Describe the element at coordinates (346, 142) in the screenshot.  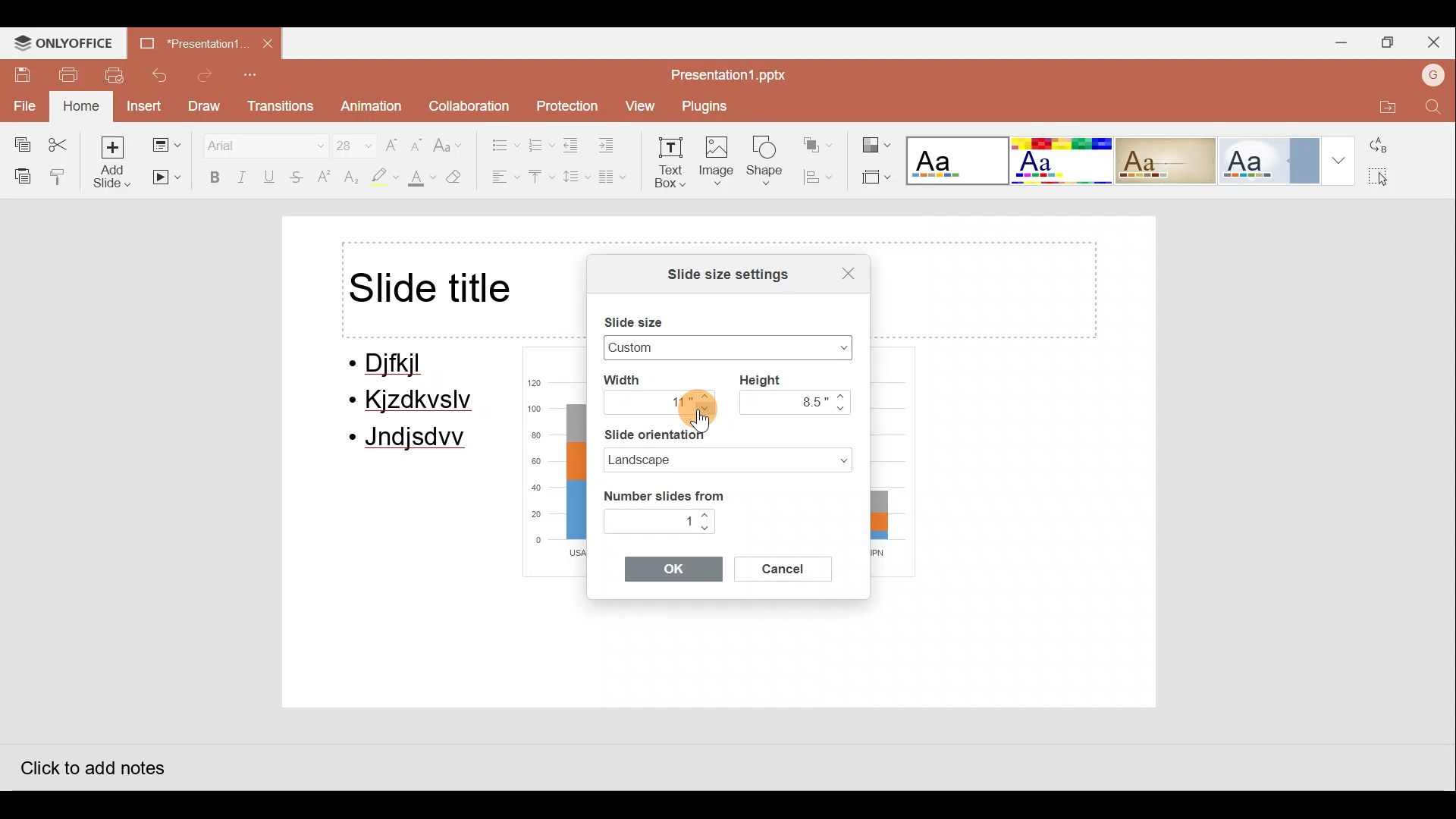
I see `Font size` at that location.